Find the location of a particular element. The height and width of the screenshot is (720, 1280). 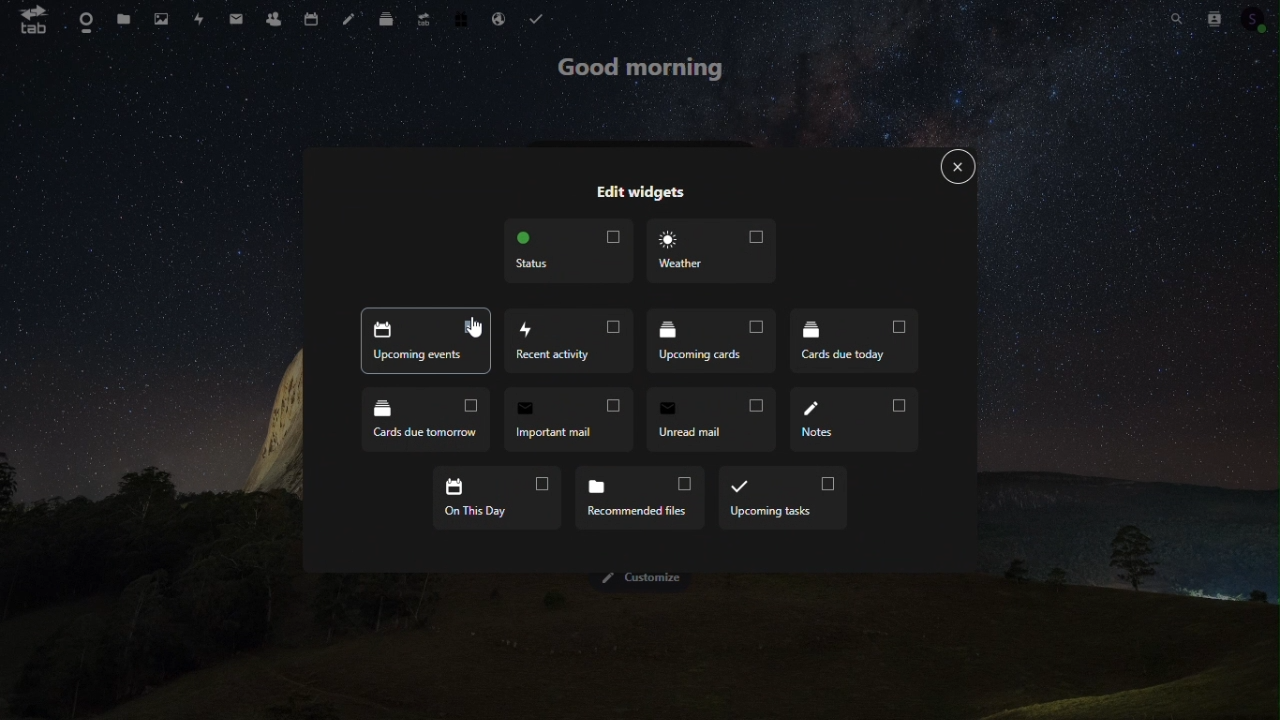

customize is located at coordinates (648, 579).